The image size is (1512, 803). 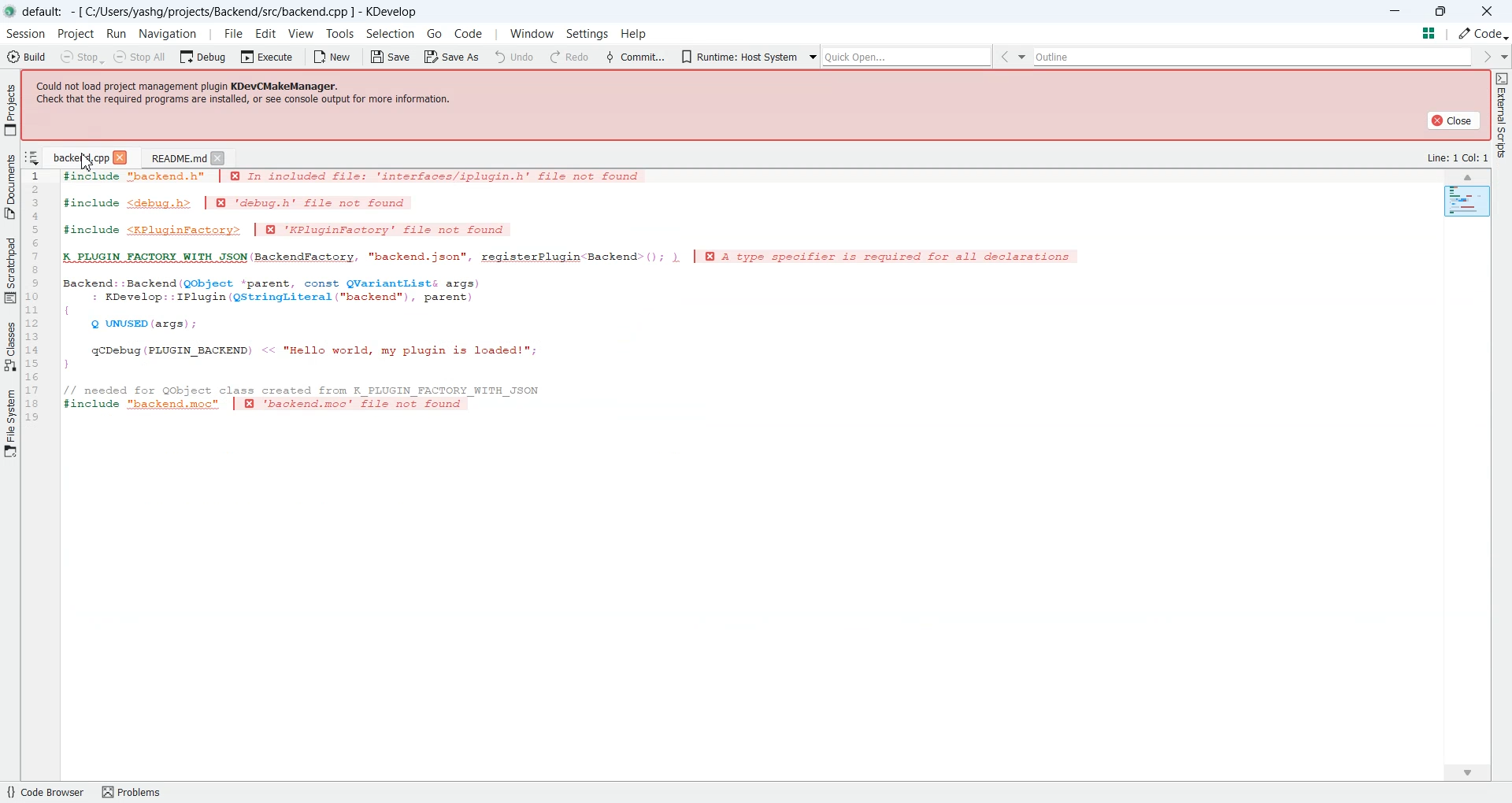 I want to click on Stop All, so click(x=142, y=57).